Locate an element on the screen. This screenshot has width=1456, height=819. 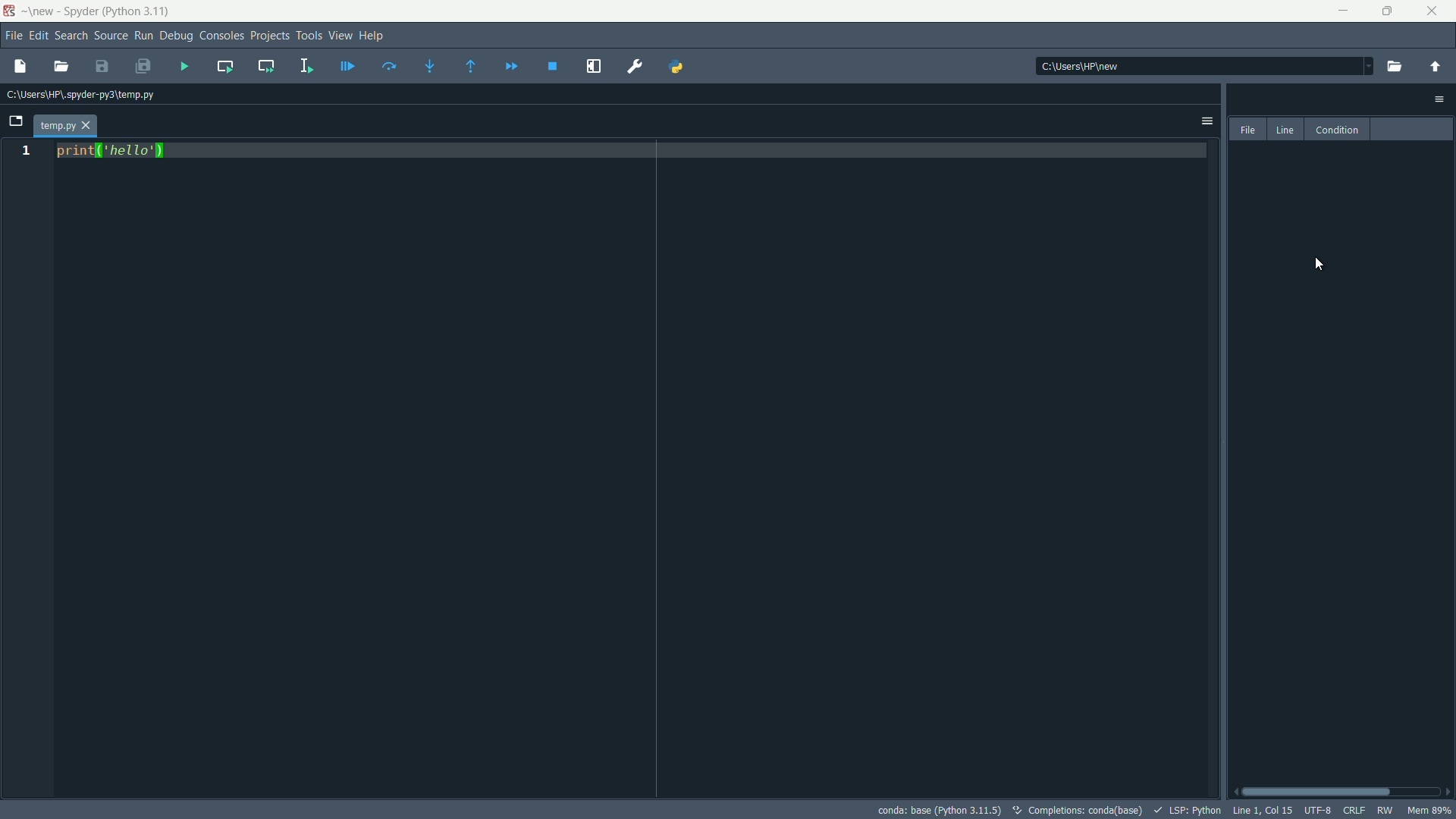
LSP:Python is located at coordinates (1185, 810).